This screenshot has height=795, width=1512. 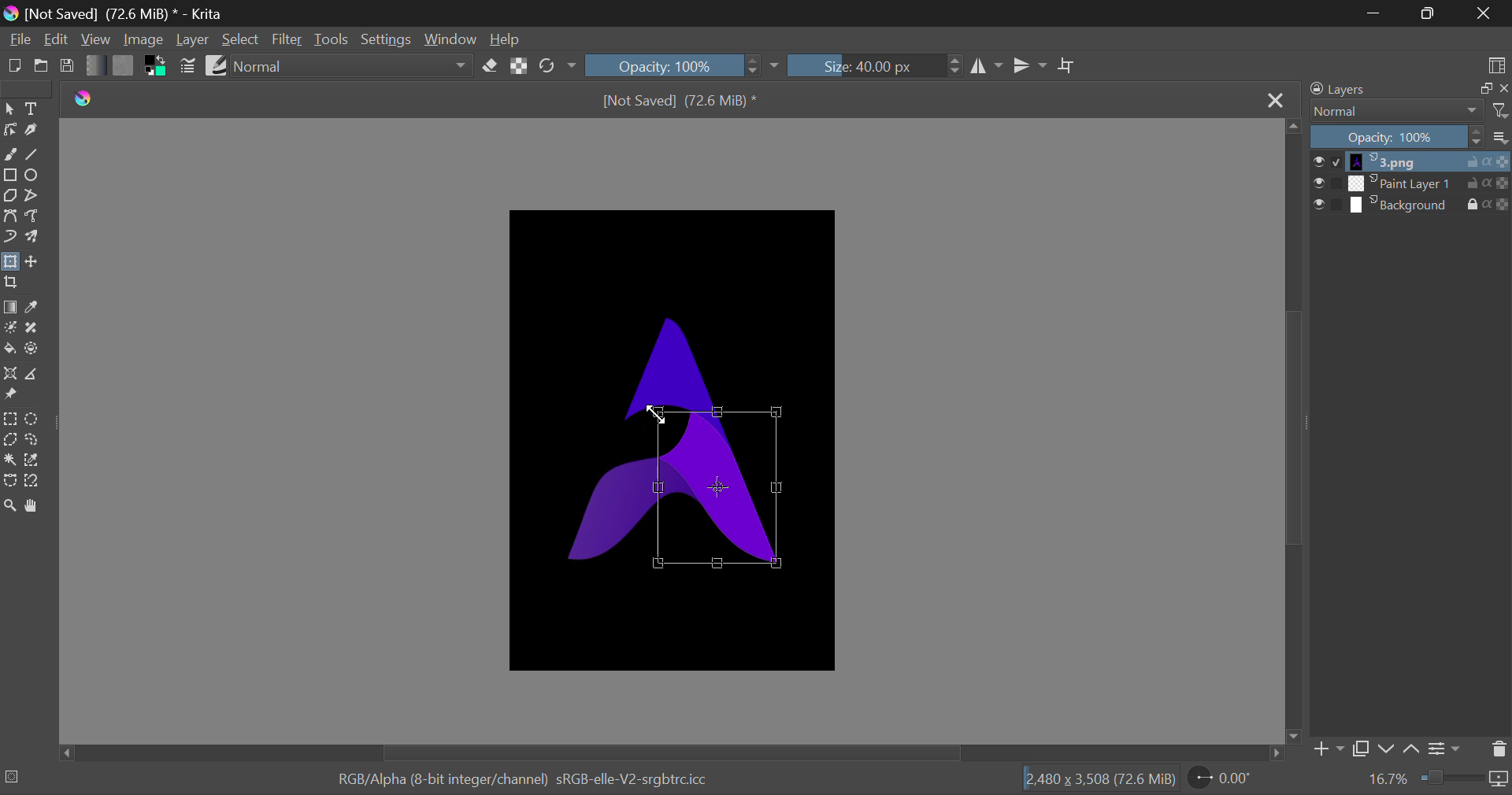 I want to click on Image, so click(x=146, y=41).